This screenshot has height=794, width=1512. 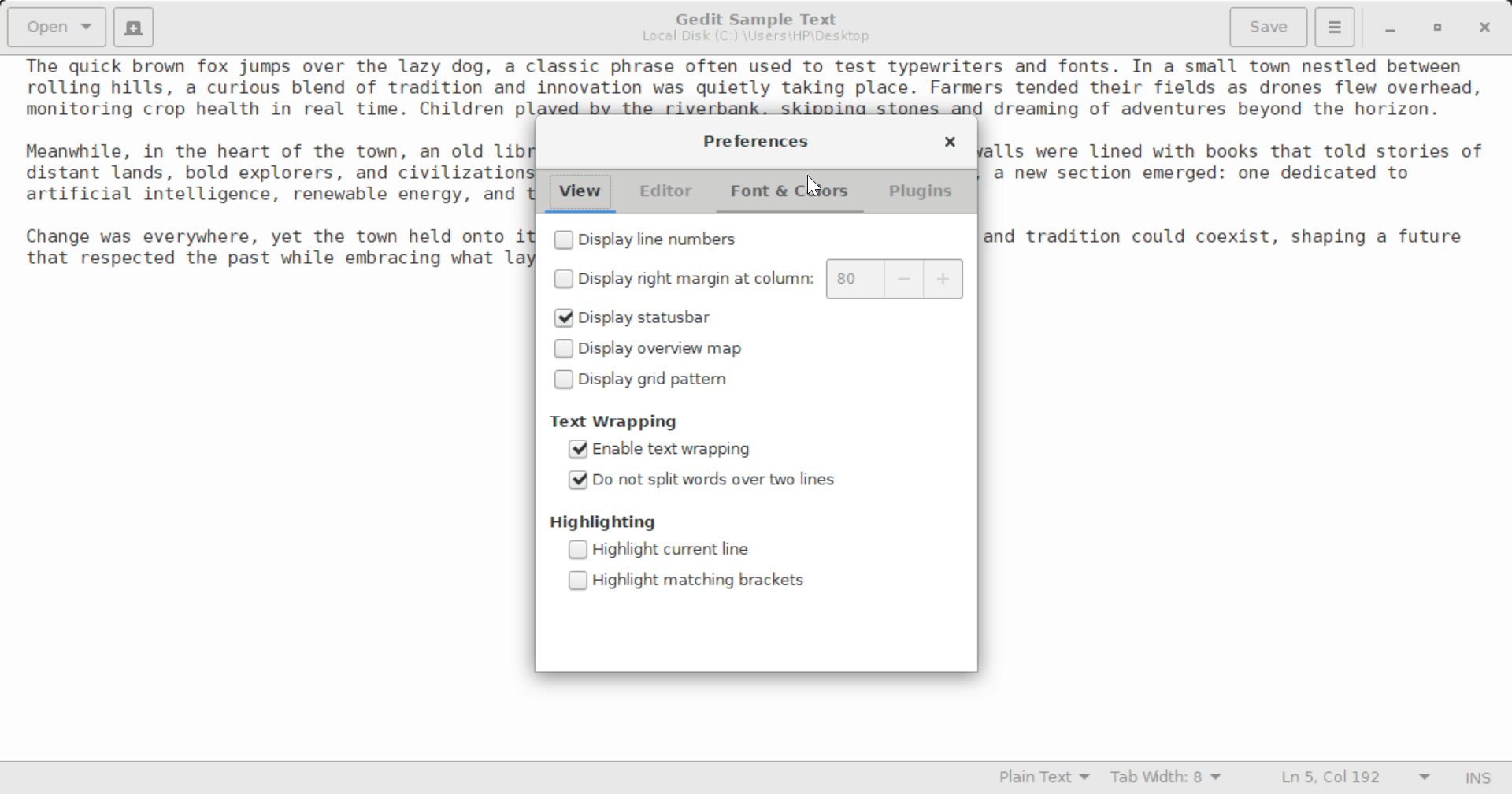 I want to click on Text Wrapping Options Heading, so click(x=614, y=423).